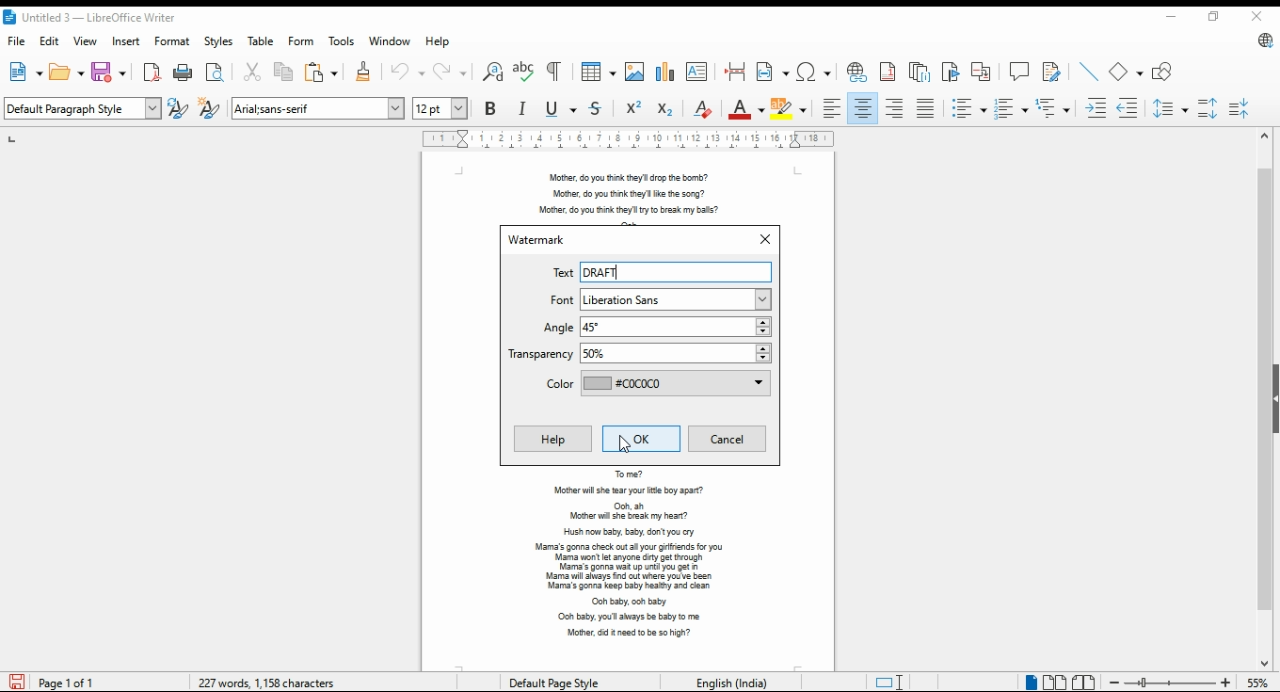 The width and height of the screenshot is (1280, 692). What do you see at coordinates (887, 681) in the screenshot?
I see `toggle cursor` at bounding box center [887, 681].